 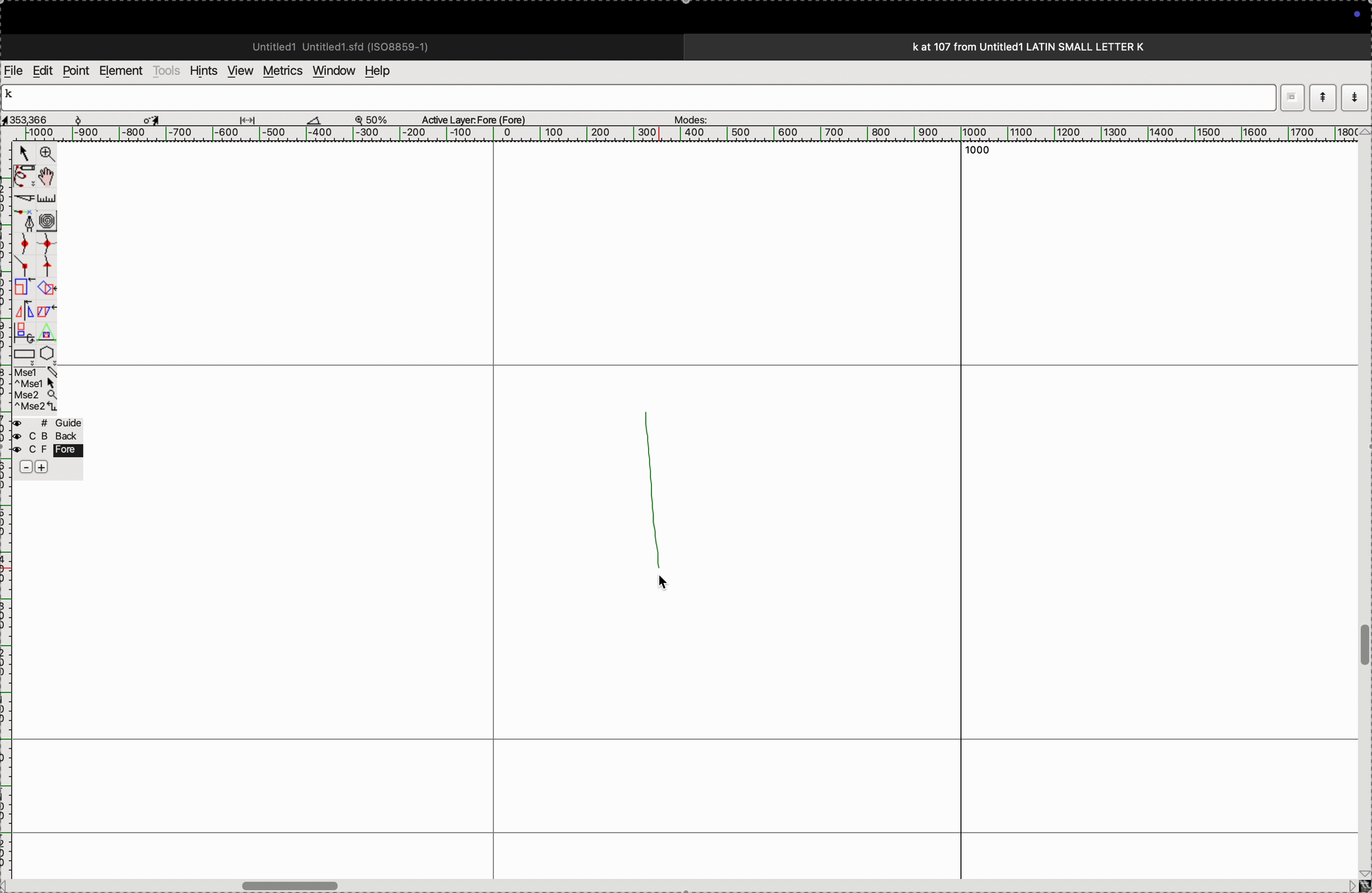 What do you see at coordinates (331, 70) in the screenshot?
I see `window` at bounding box center [331, 70].